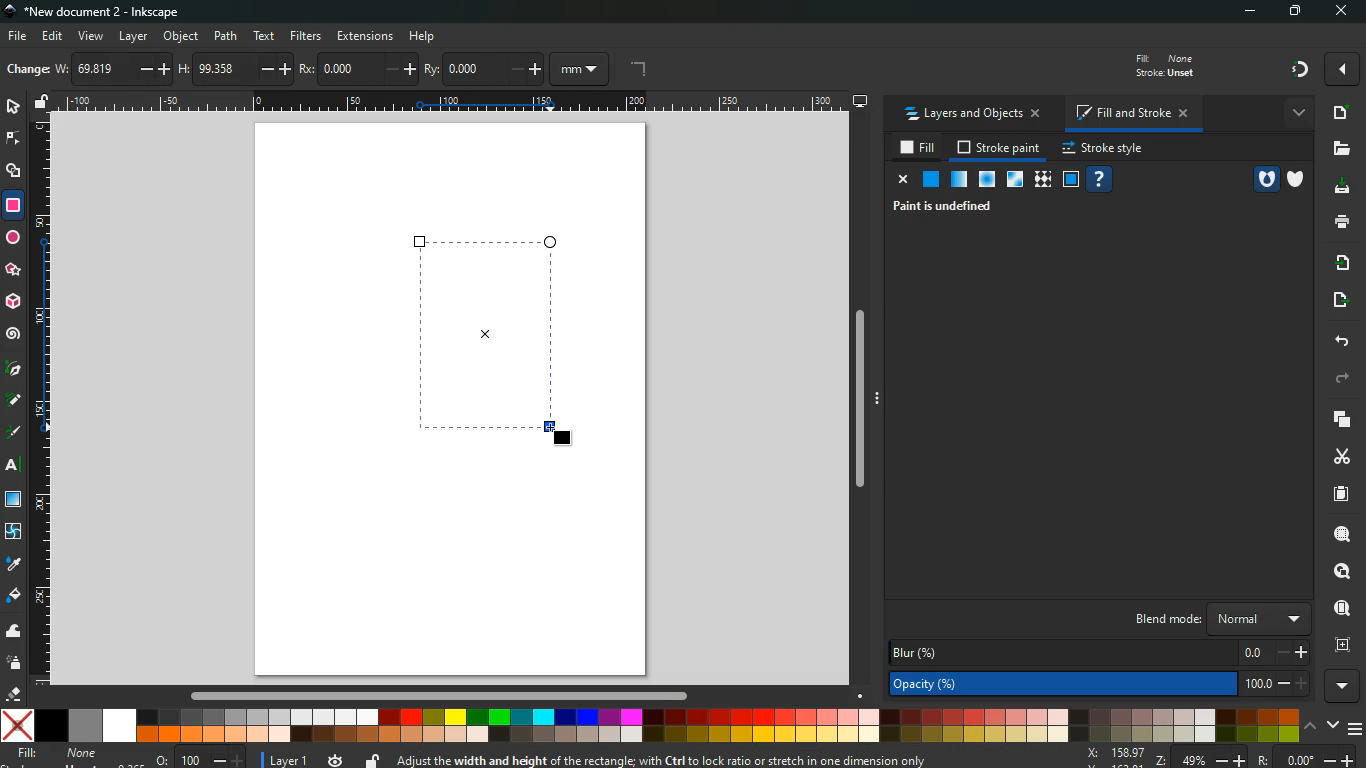 This screenshot has height=768, width=1366. What do you see at coordinates (1337, 151) in the screenshot?
I see `files` at bounding box center [1337, 151].